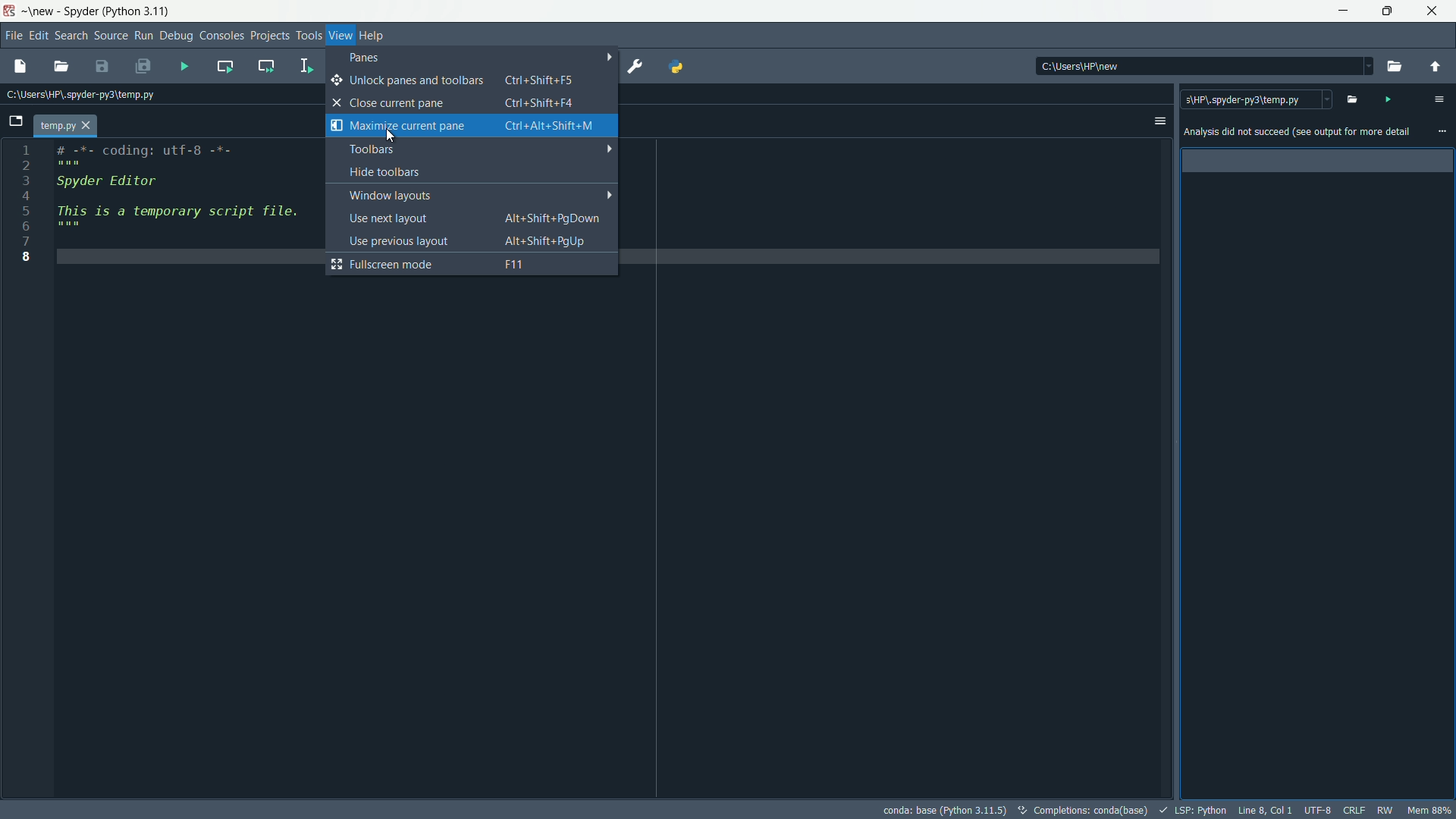 This screenshot has height=819, width=1456. What do you see at coordinates (42, 12) in the screenshot?
I see `new` at bounding box center [42, 12].